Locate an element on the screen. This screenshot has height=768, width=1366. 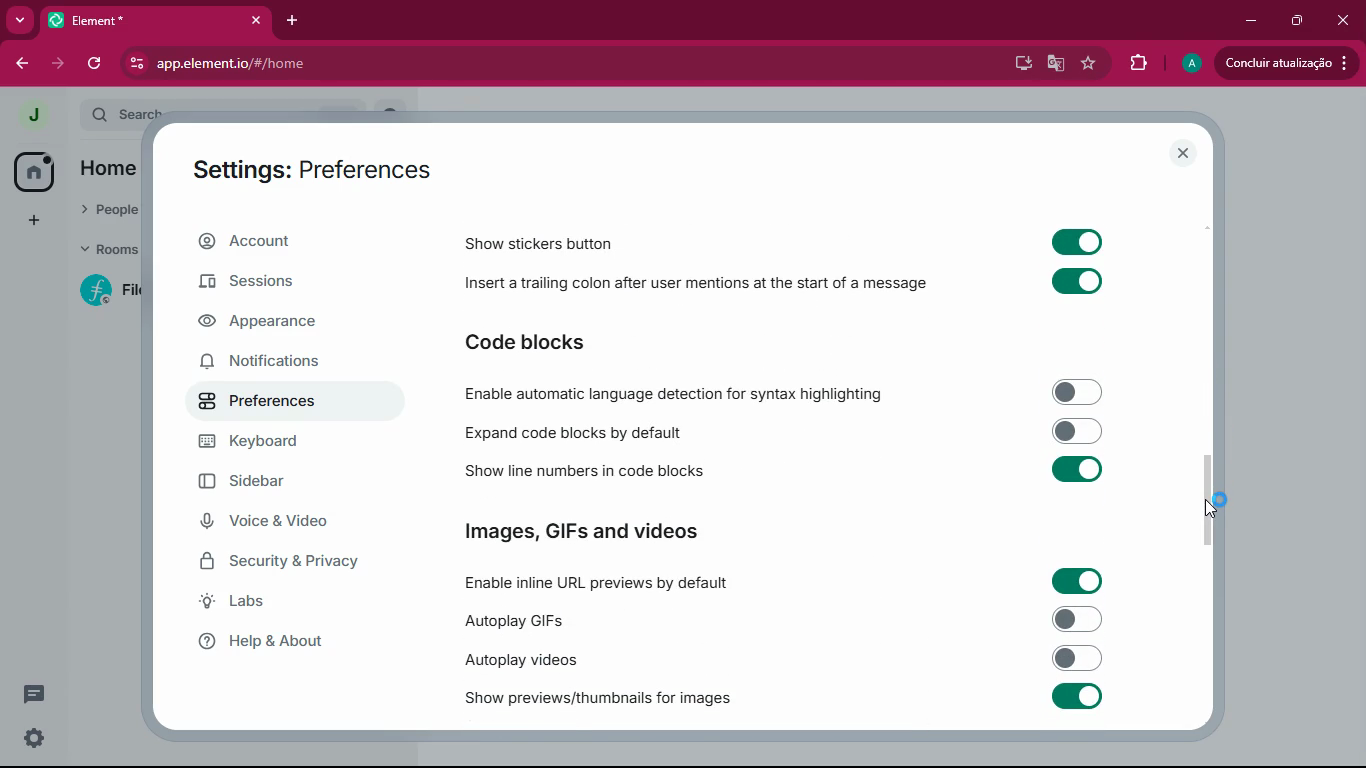
Labs is located at coordinates (282, 601).